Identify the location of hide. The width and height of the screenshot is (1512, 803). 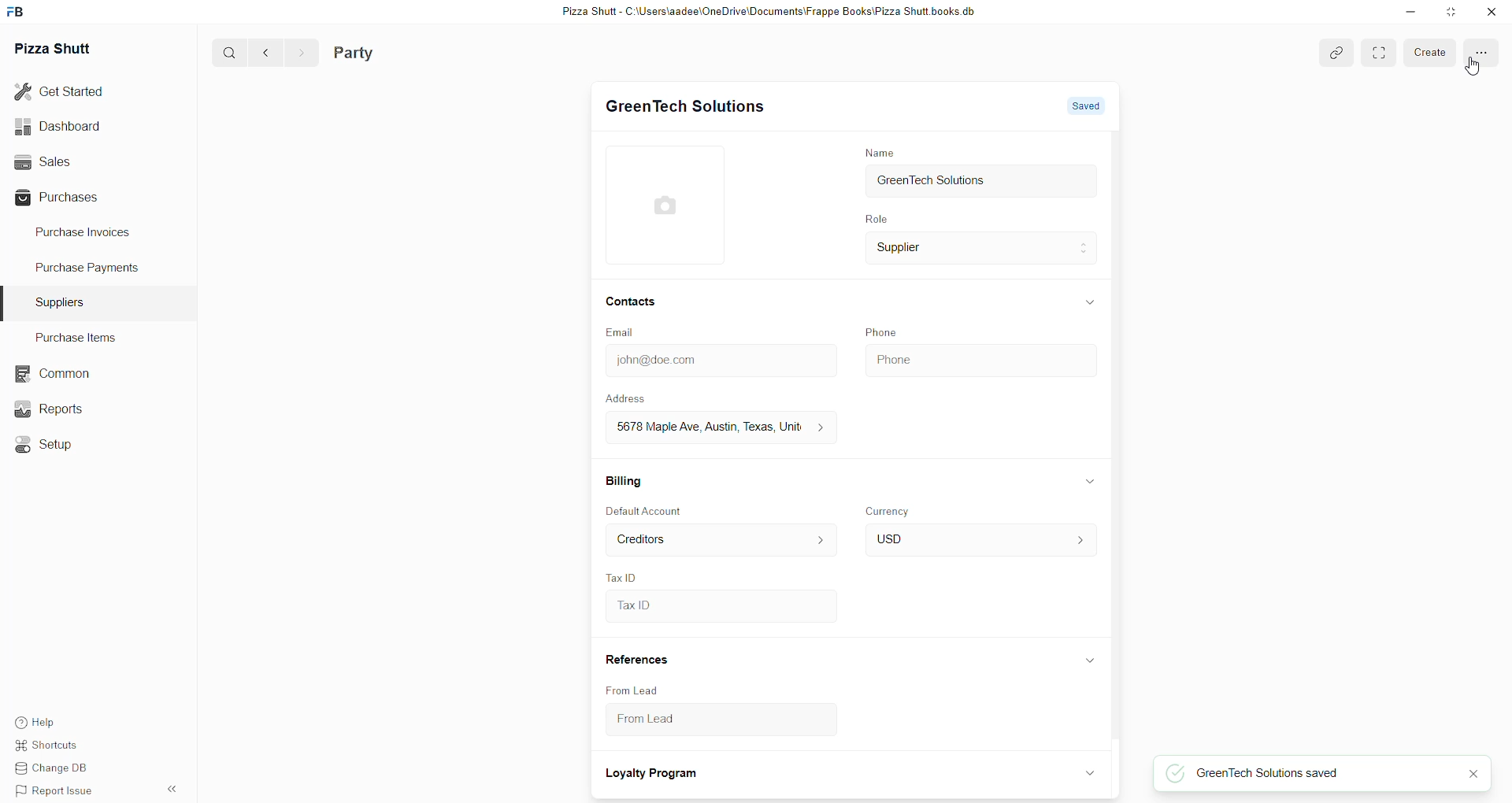
(1088, 661).